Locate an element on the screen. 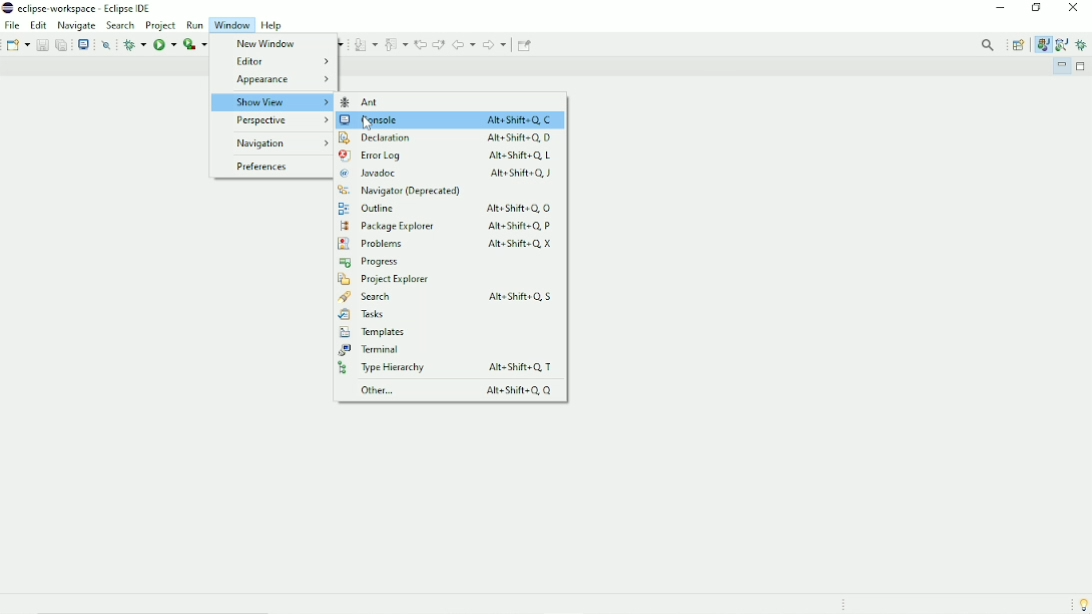 The image size is (1092, 614). Skip all breakpoints is located at coordinates (108, 45).